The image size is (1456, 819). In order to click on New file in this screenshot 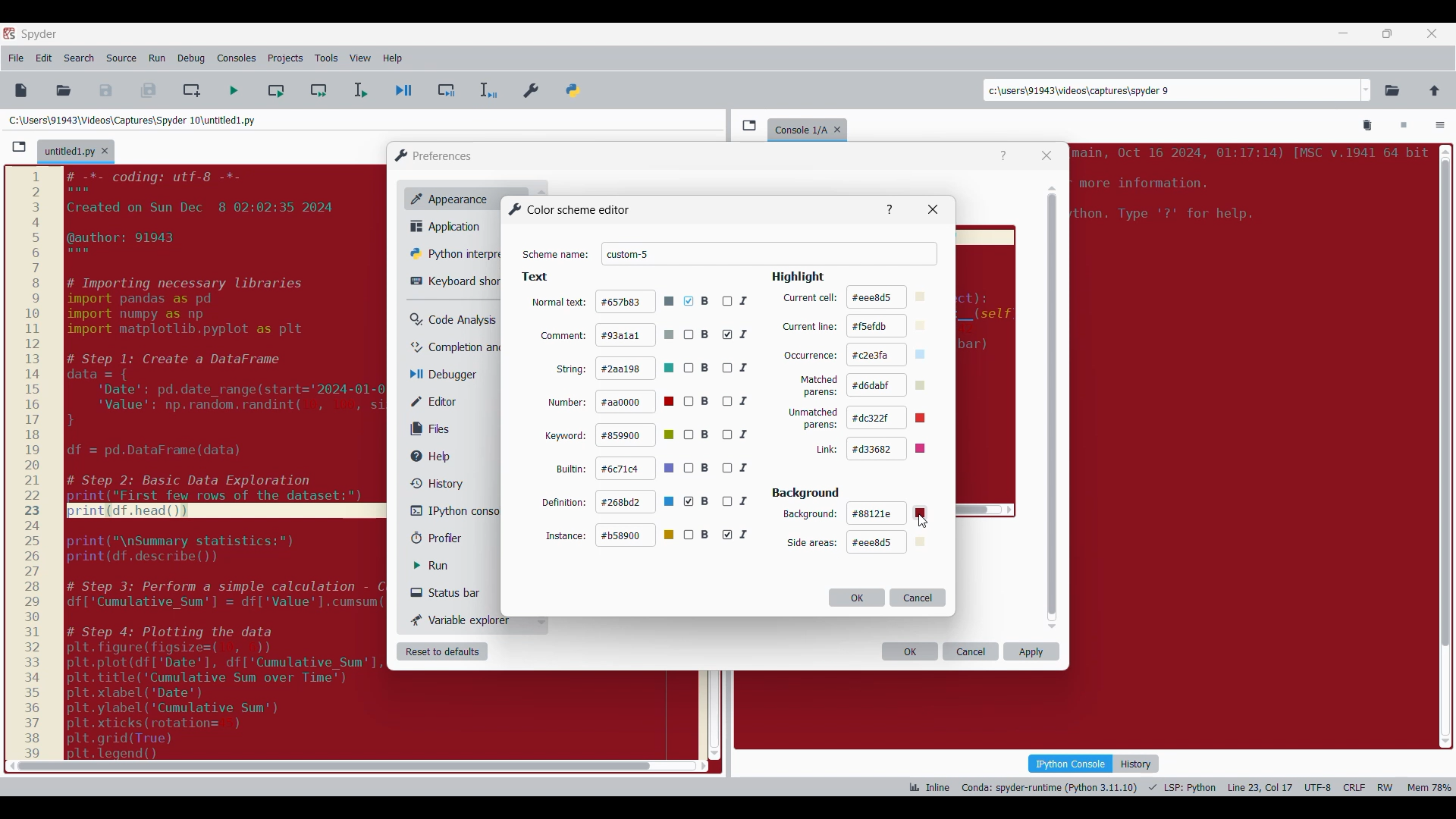, I will do `click(20, 90)`.